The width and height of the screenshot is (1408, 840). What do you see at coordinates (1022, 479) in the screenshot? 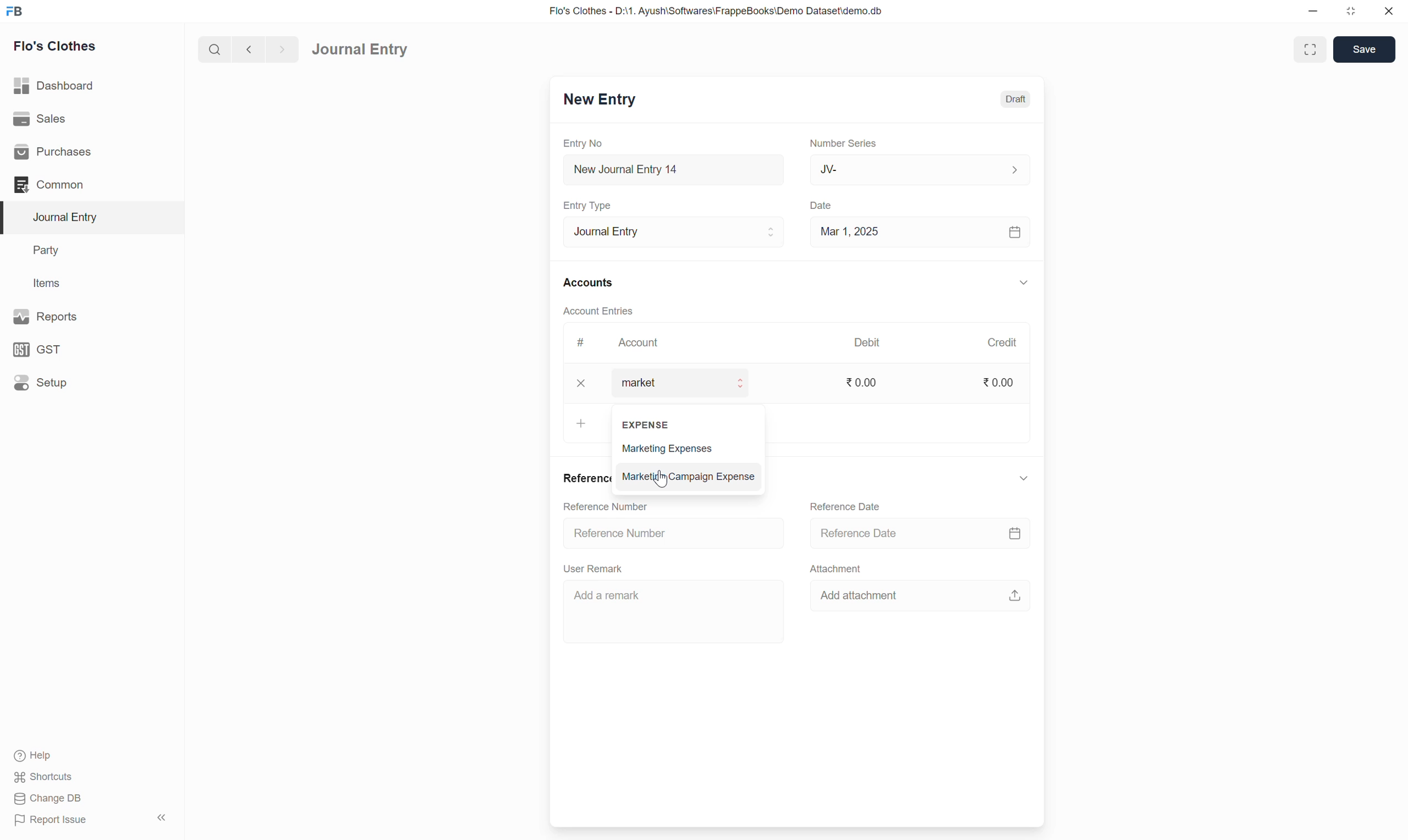
I see `down` at bounding box center [1022, 479].